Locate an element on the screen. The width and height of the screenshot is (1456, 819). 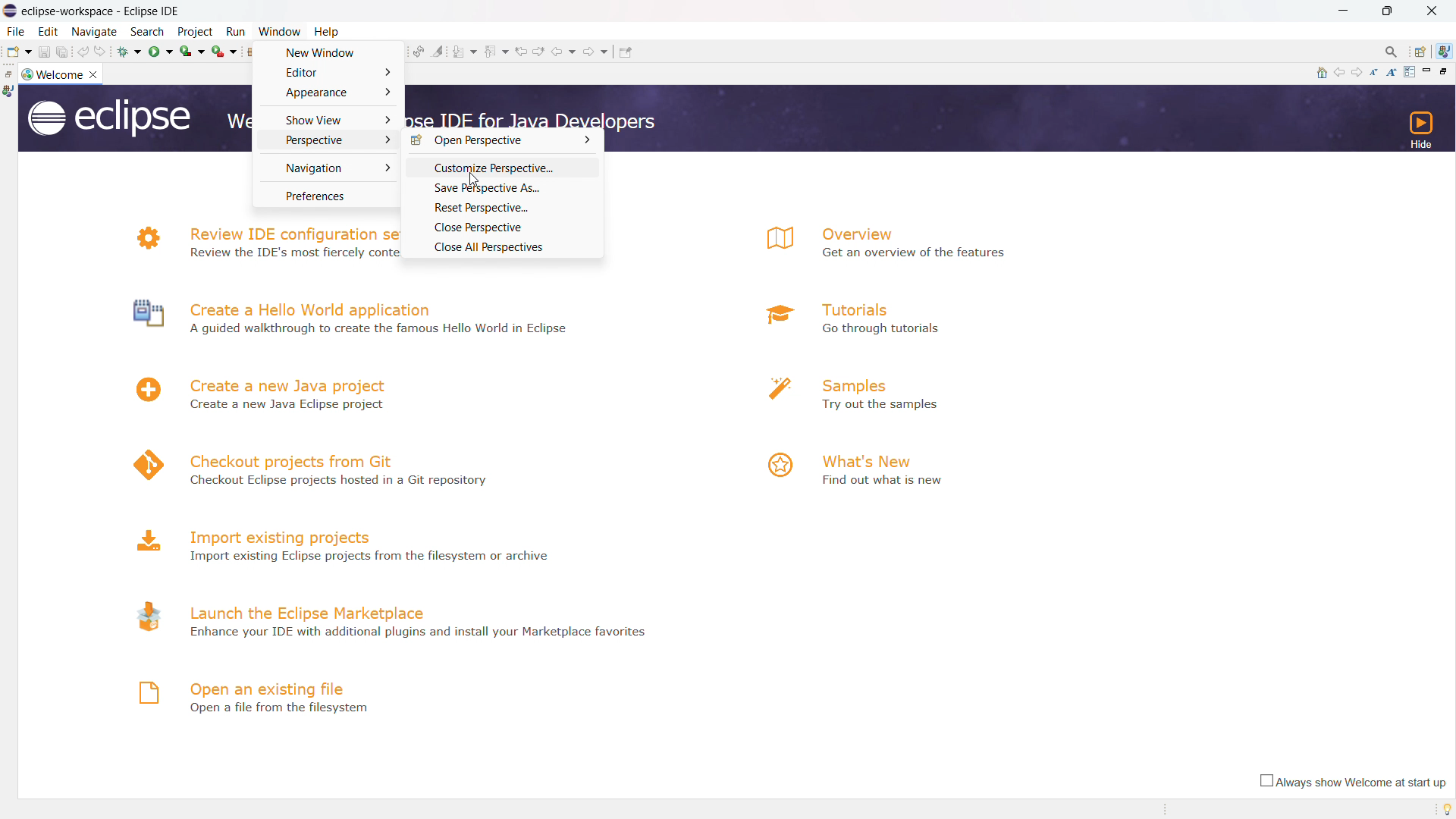
previous annotation is located at coordinates (494, 52).